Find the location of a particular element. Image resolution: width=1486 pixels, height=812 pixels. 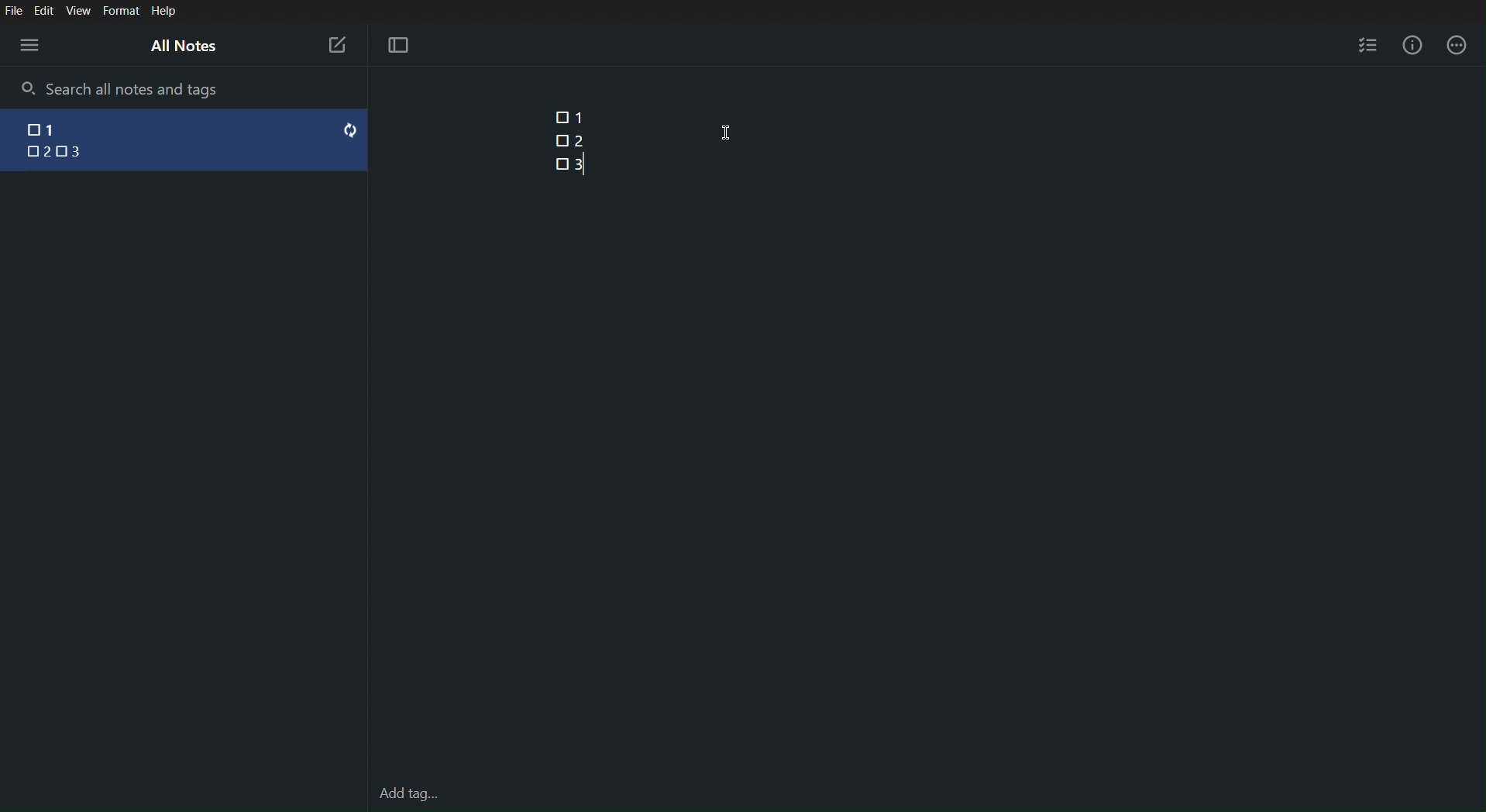

Search all notes and tags is located at coordinates (138, 88).